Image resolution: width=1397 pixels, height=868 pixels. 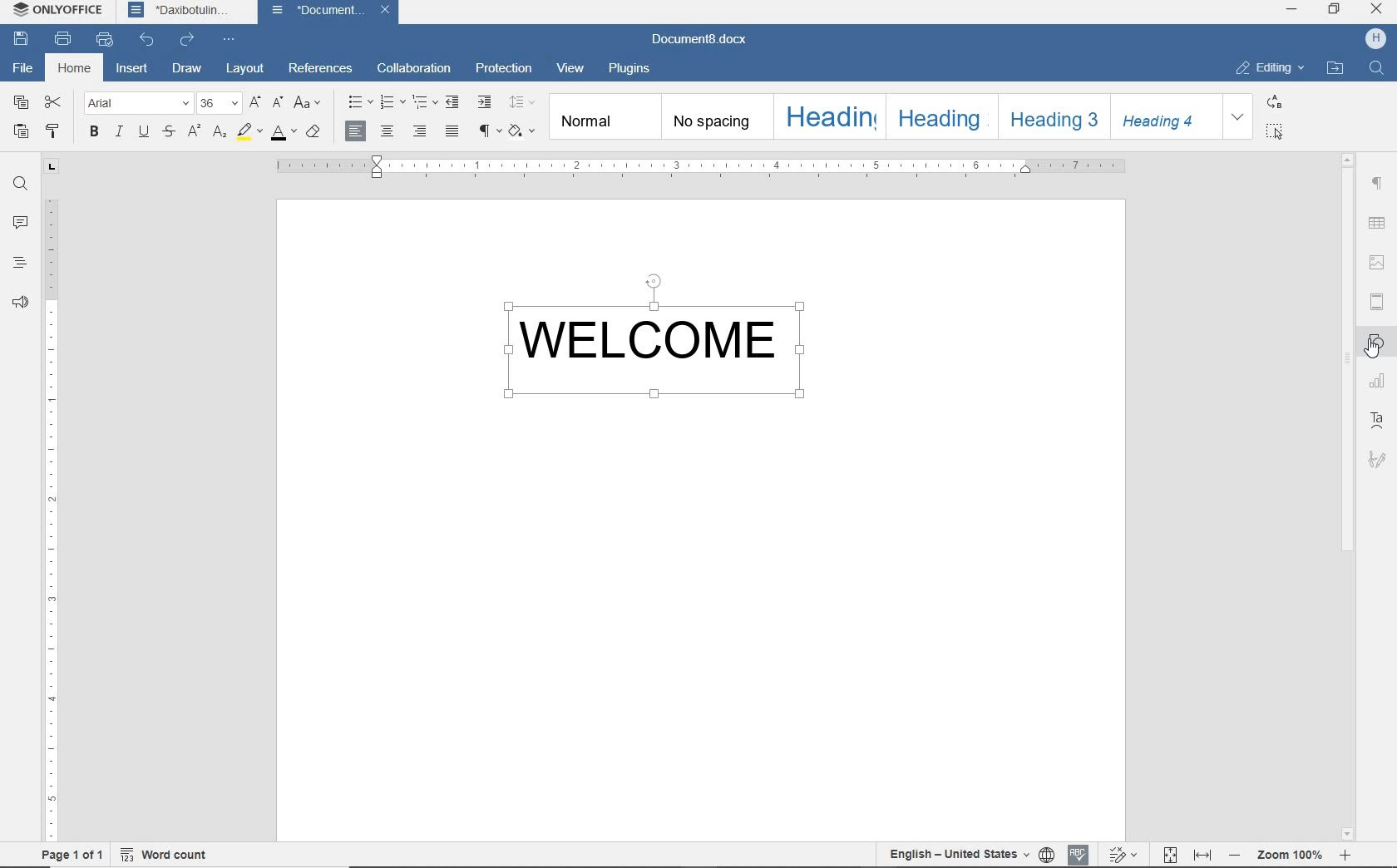 What do you see at coordinates (1291, 855) in the screenshot?
I see `Zoom 100%` at bounding box center [1291, 855].